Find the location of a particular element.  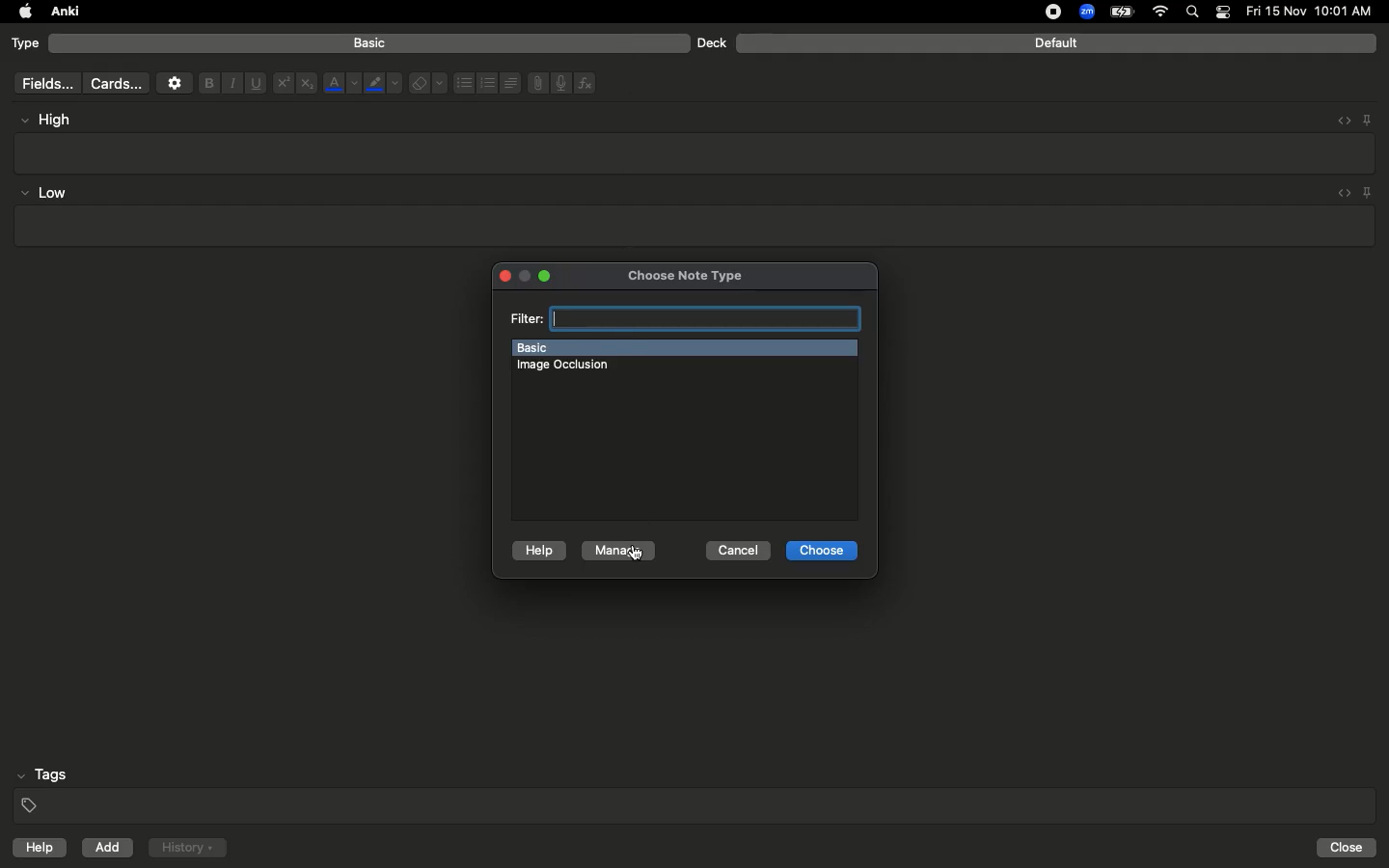

Subscript is located at coordinates (307, 84).